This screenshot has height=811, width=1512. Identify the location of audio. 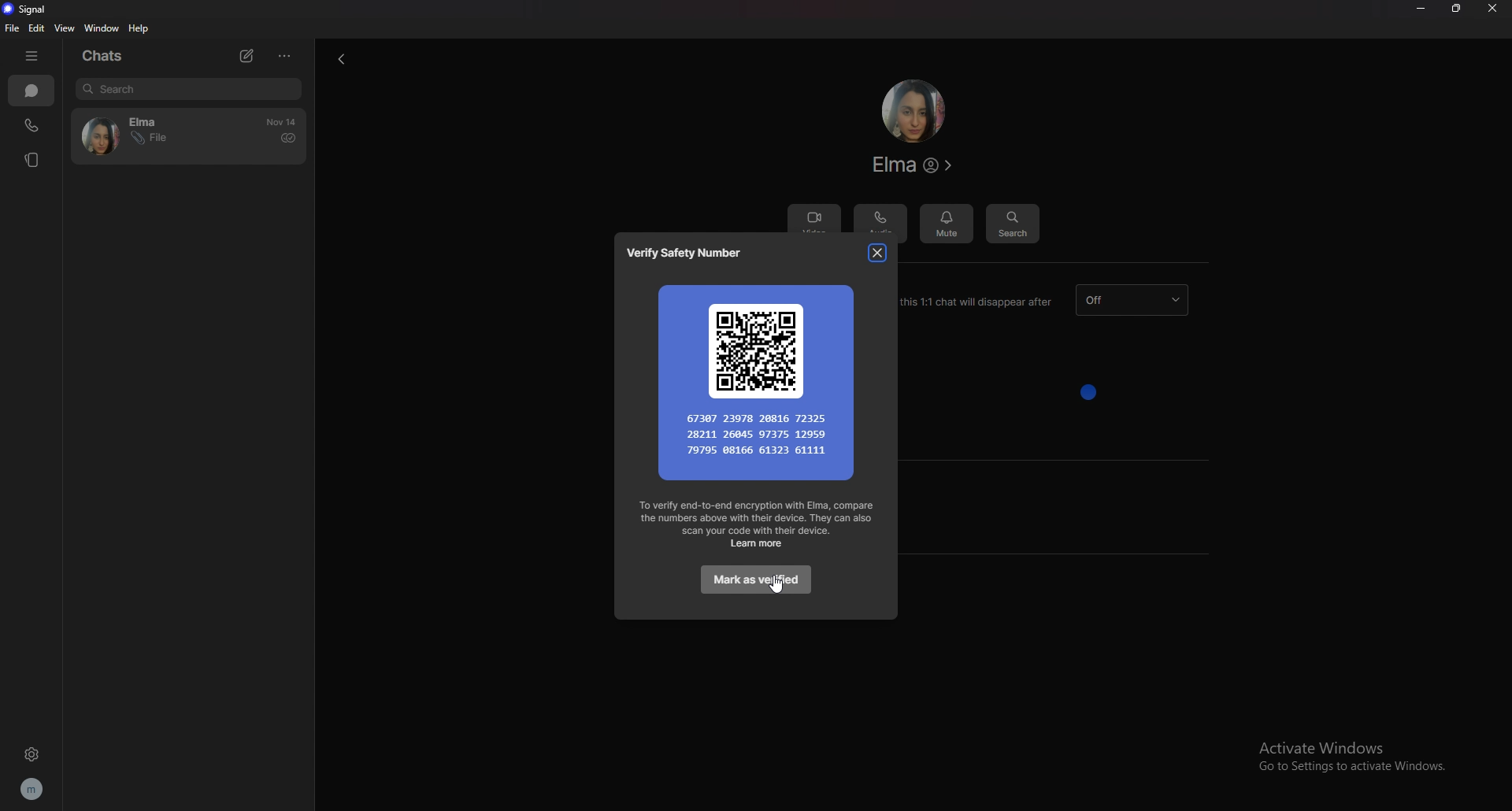
(881, 220).